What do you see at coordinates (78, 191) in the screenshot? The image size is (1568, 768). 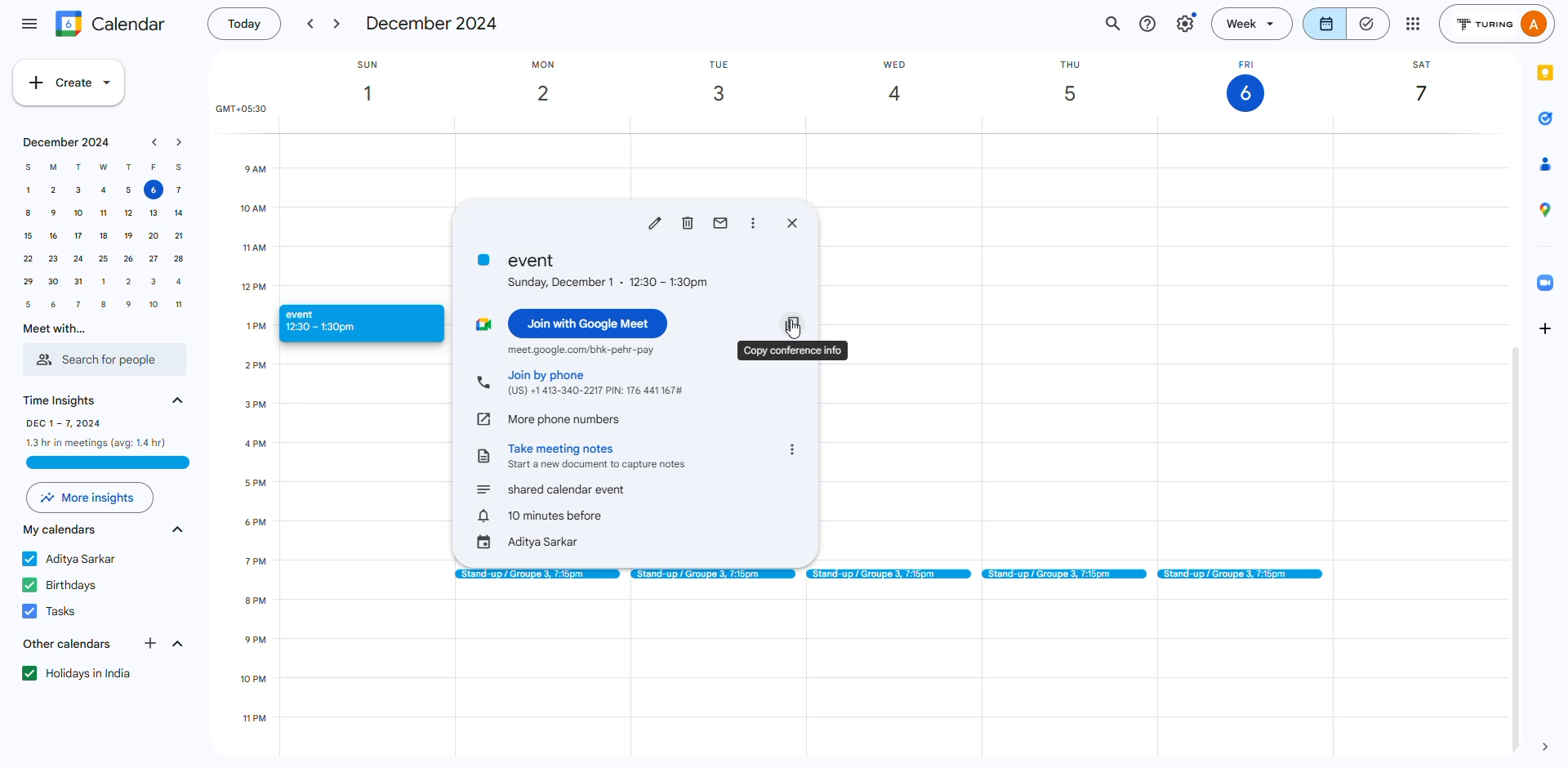 I see `3` at bounding box center [78, 191].